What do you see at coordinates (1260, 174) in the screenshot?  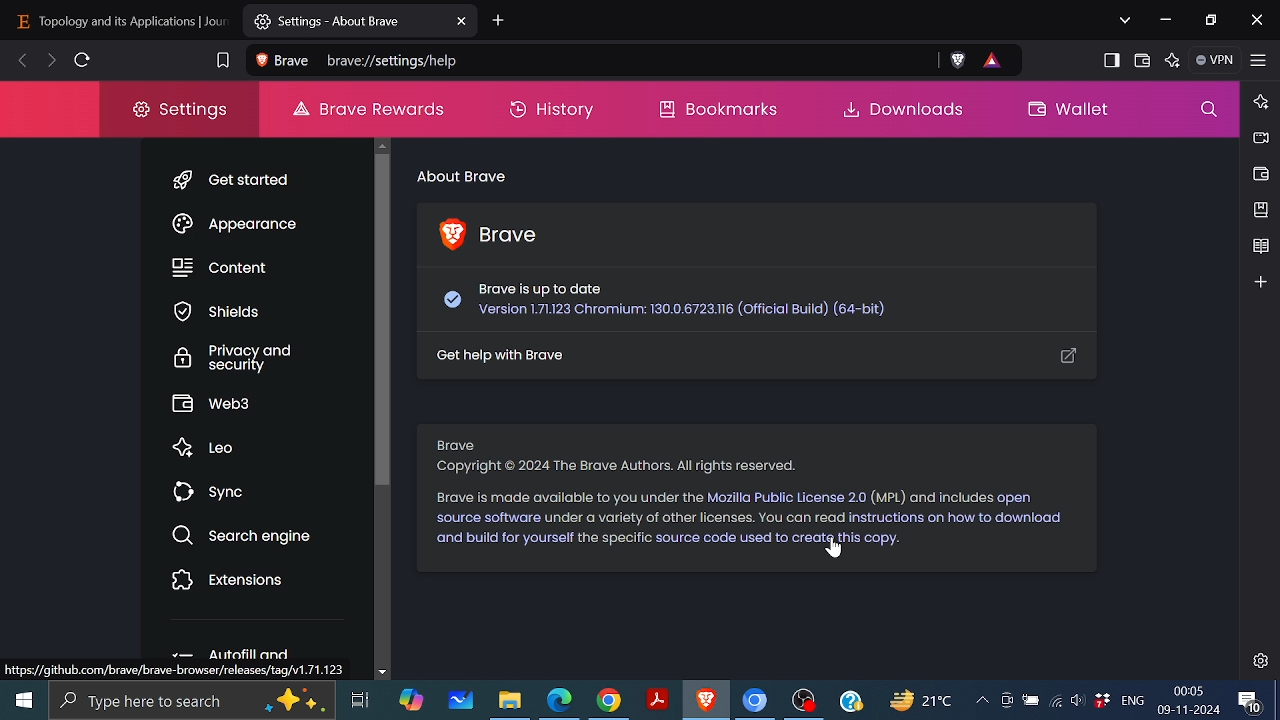 I see `Wallet` at bounding box center [1260, 174].